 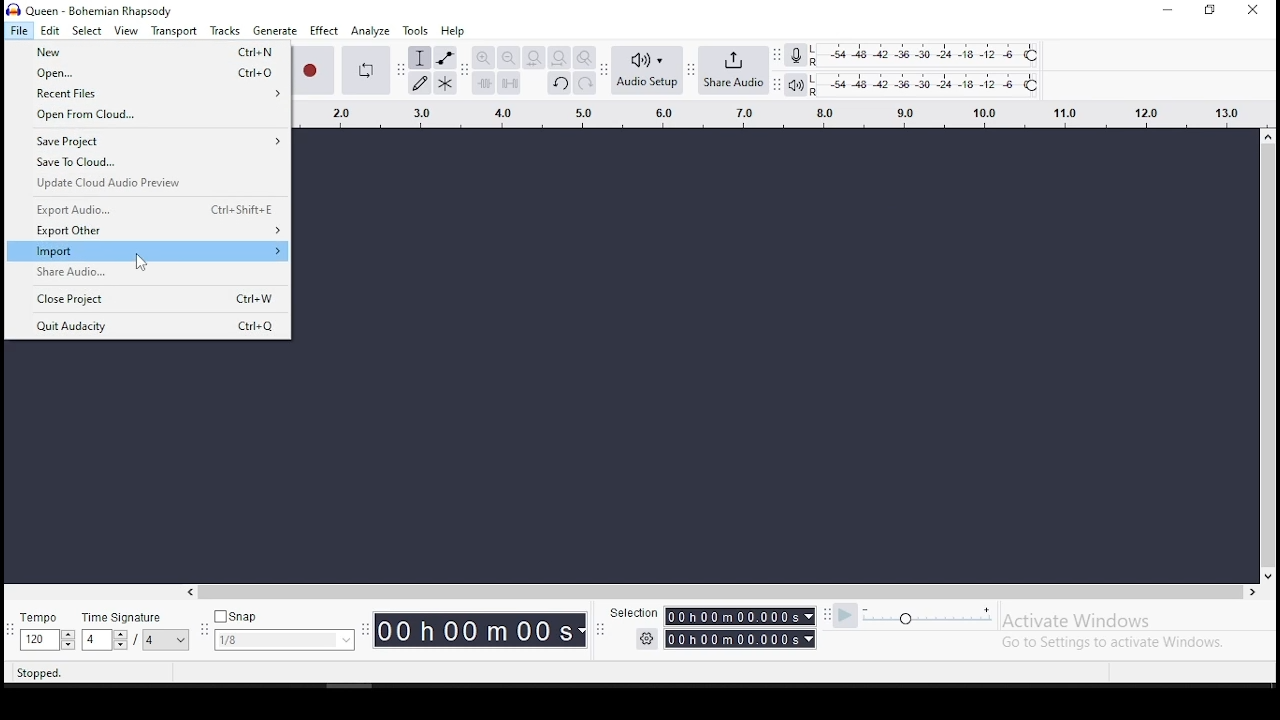 I want to click on playback level, so click(x=927, y=85).